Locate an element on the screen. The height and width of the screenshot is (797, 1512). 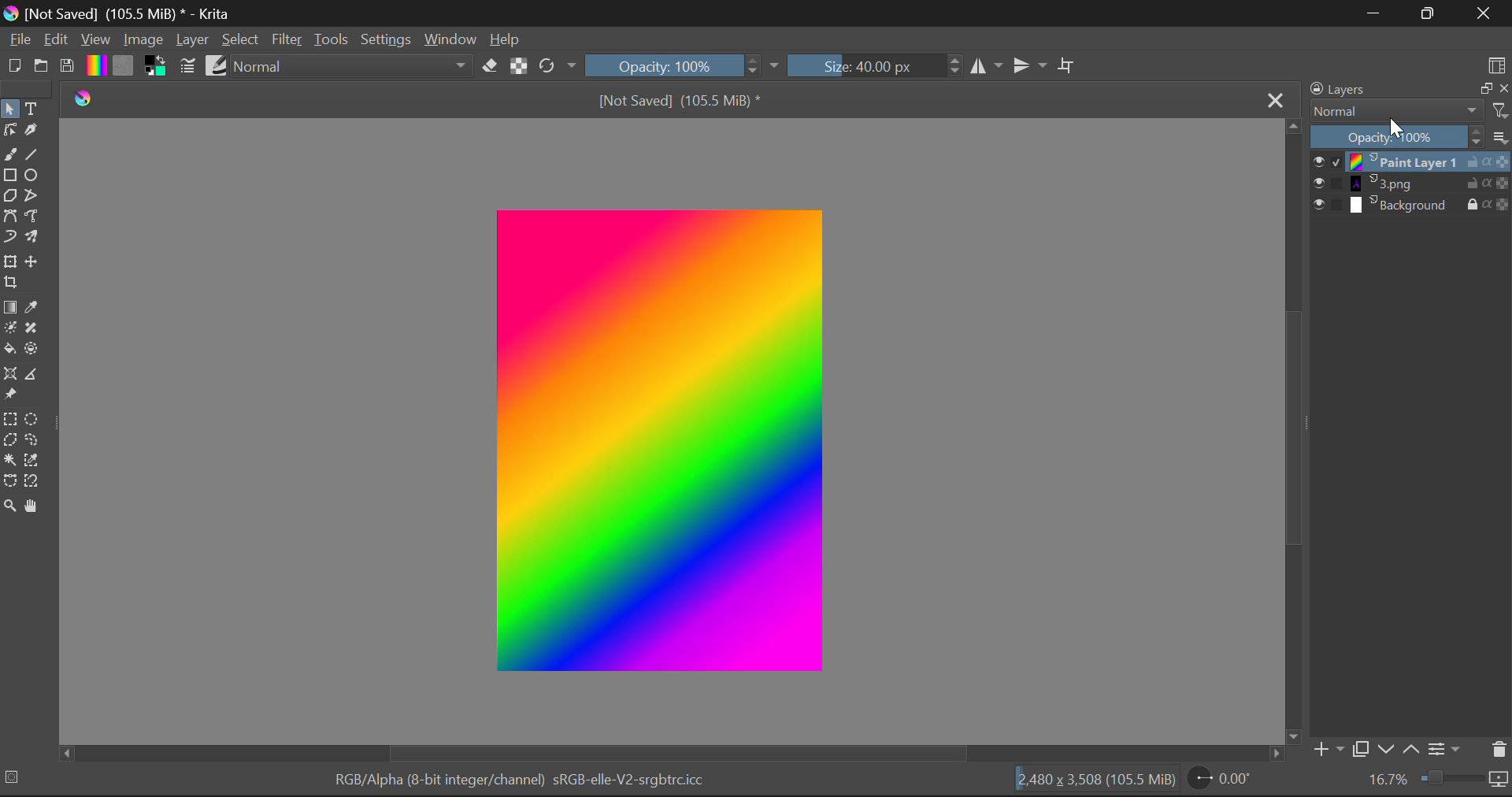
Multibrush Tool is located at coordinates (33, 235).